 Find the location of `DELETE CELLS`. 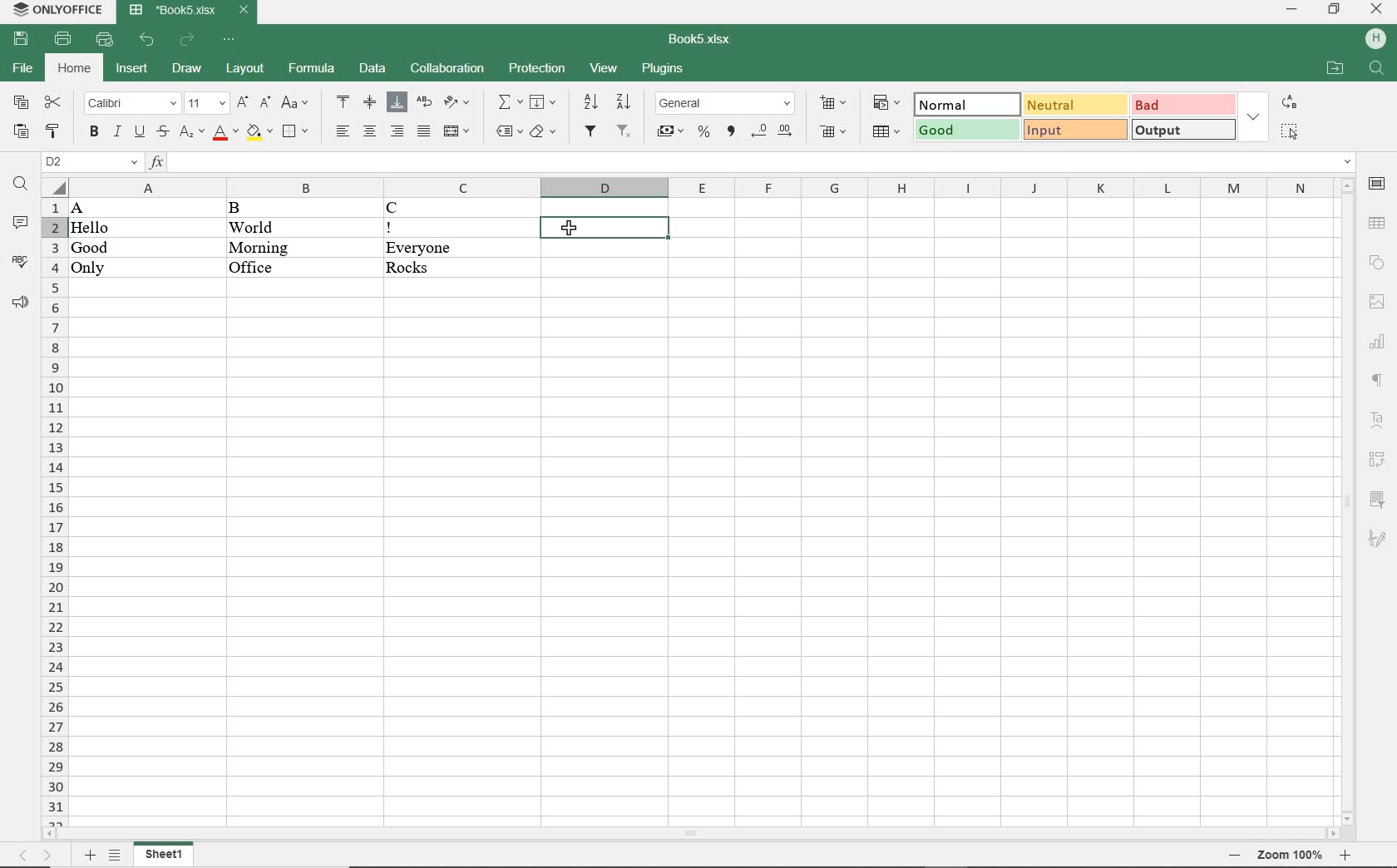

DELETE CELLS is located at coordinates (833, 133).